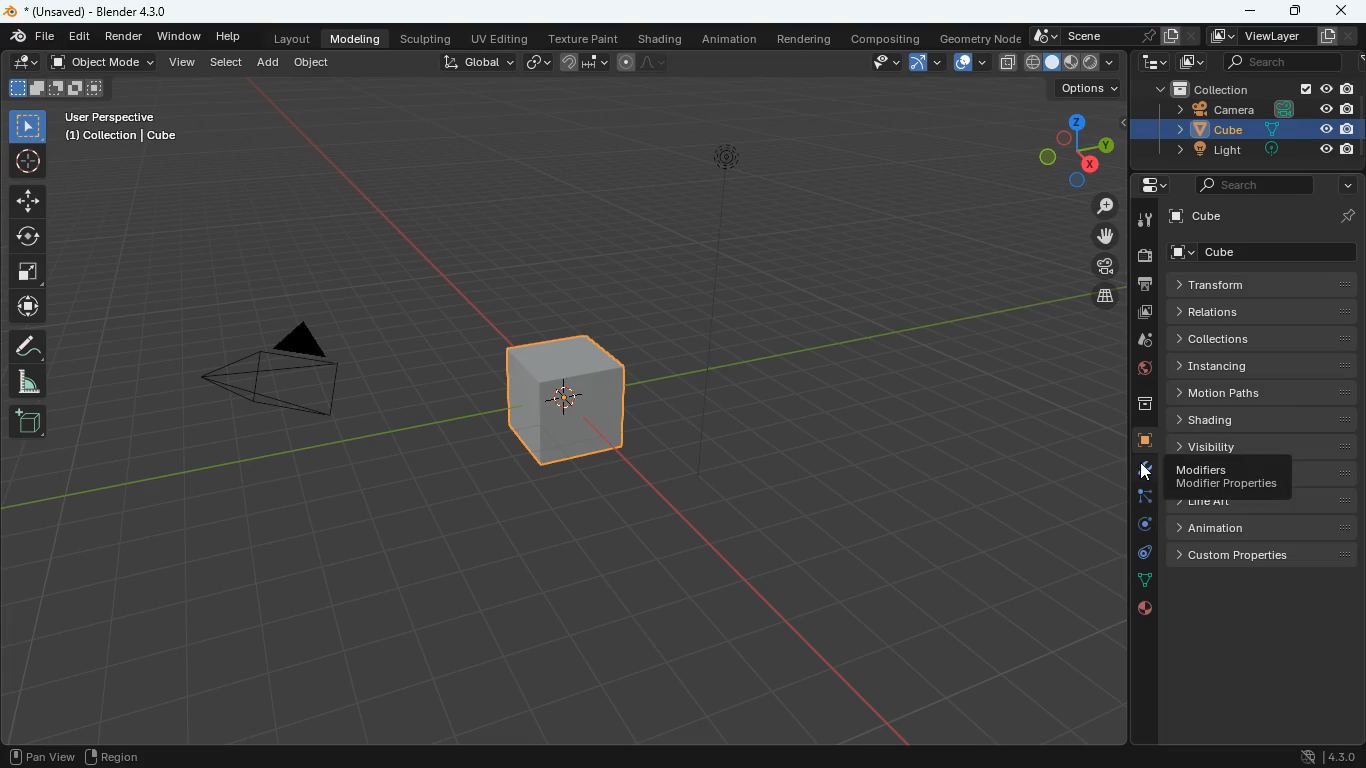 This screenshot has width=1366, height=768. I want to click on minimize, so click(1248, 12).